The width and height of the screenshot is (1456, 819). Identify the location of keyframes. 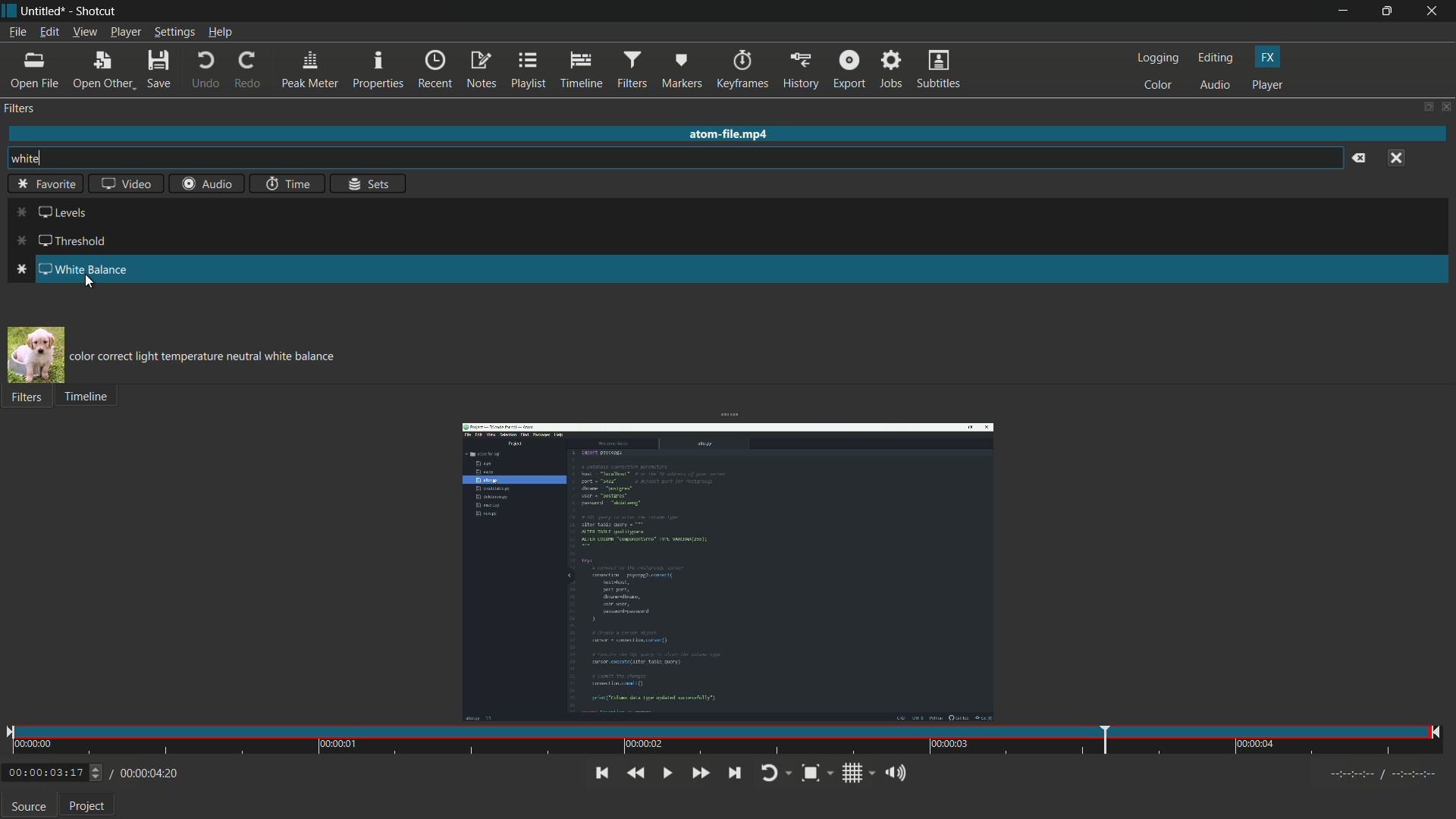
(743, 69).